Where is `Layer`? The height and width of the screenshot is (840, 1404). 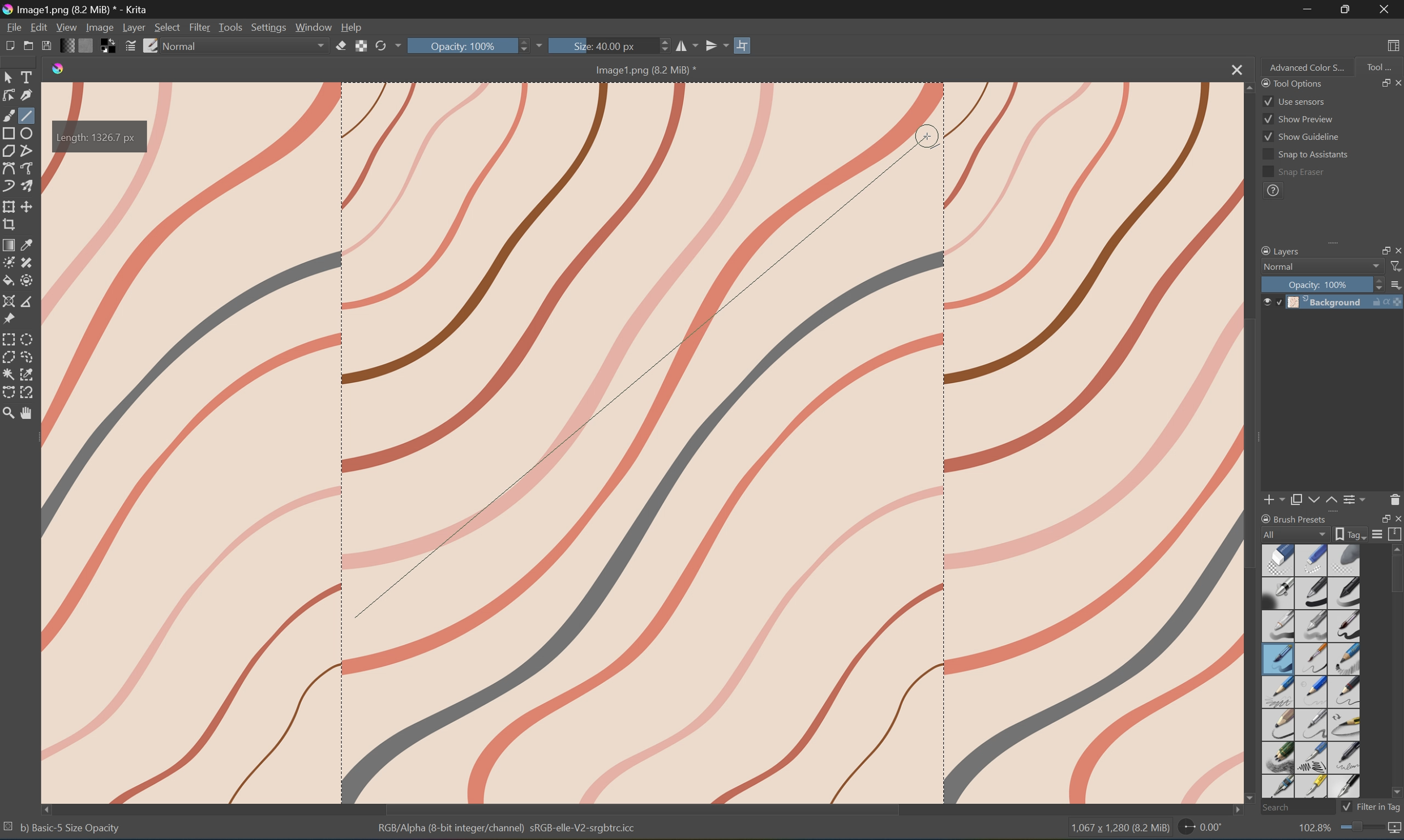 Layer is located at coordinates (134, 27).